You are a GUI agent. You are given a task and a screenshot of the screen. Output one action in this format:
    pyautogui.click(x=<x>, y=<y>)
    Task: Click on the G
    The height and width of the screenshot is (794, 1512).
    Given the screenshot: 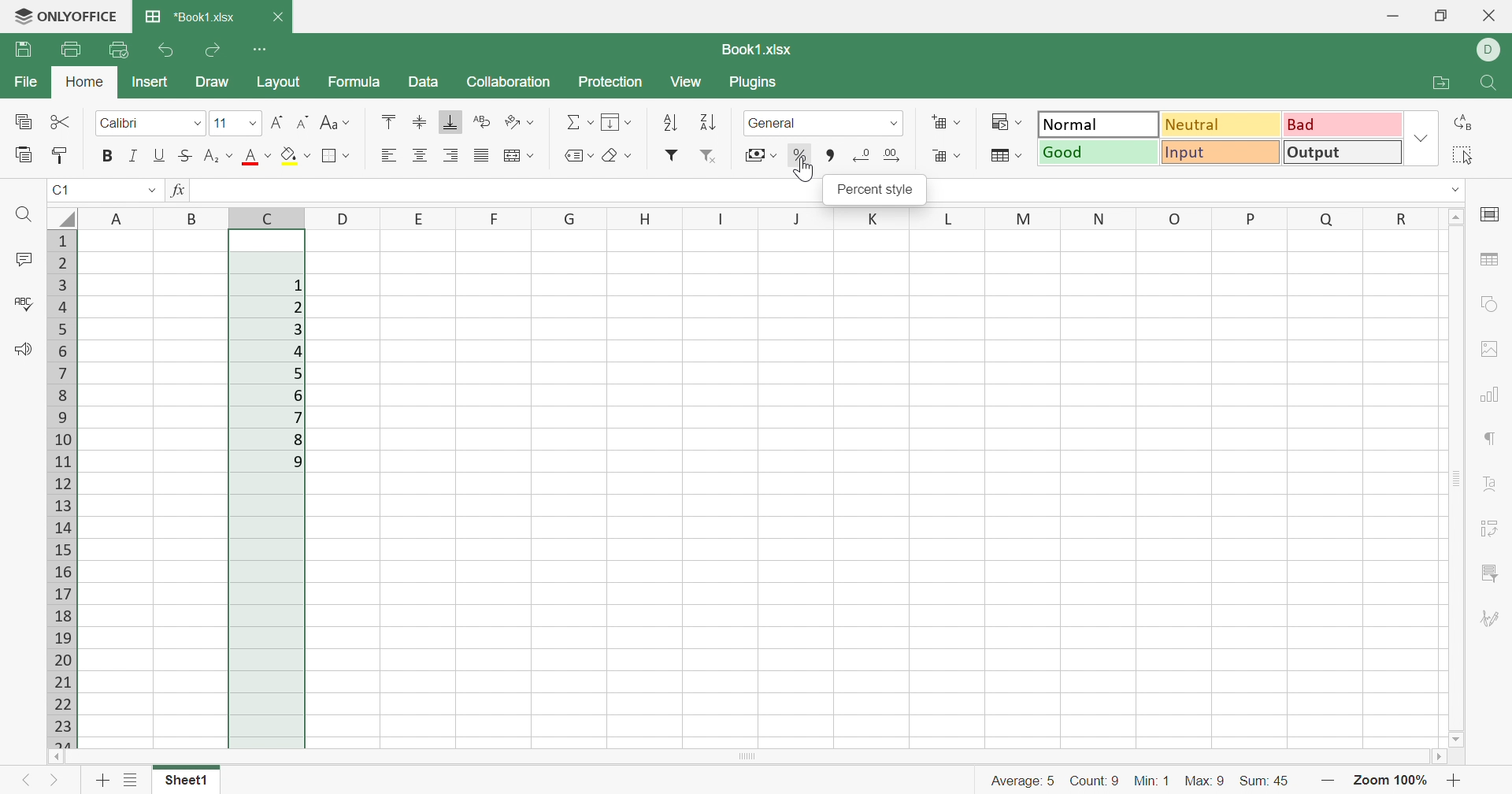 What is the action you would take?
    pyautogui.click(x=562, y=217)
    